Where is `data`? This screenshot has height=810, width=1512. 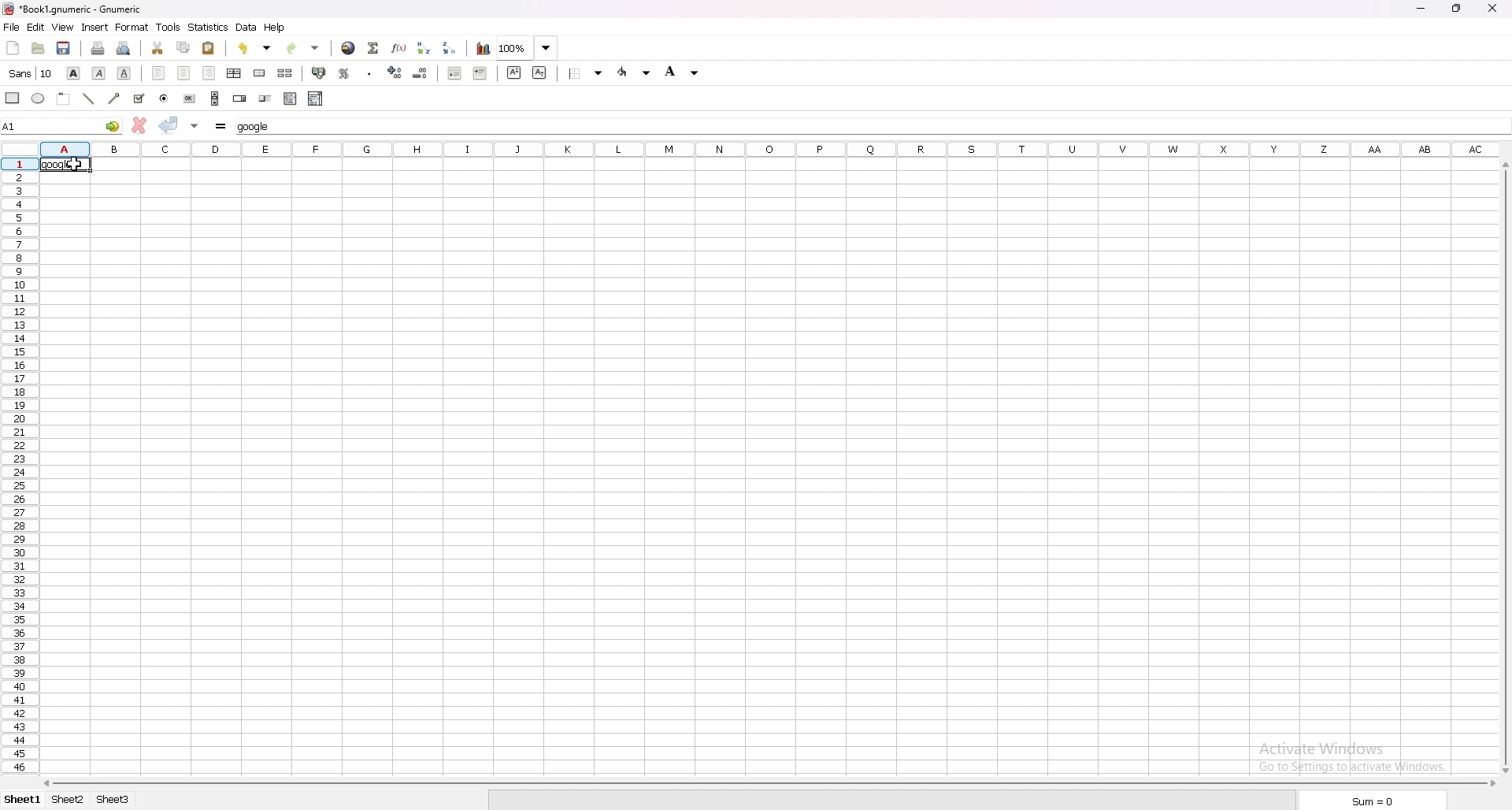
data is located at coordinates (246, 27).